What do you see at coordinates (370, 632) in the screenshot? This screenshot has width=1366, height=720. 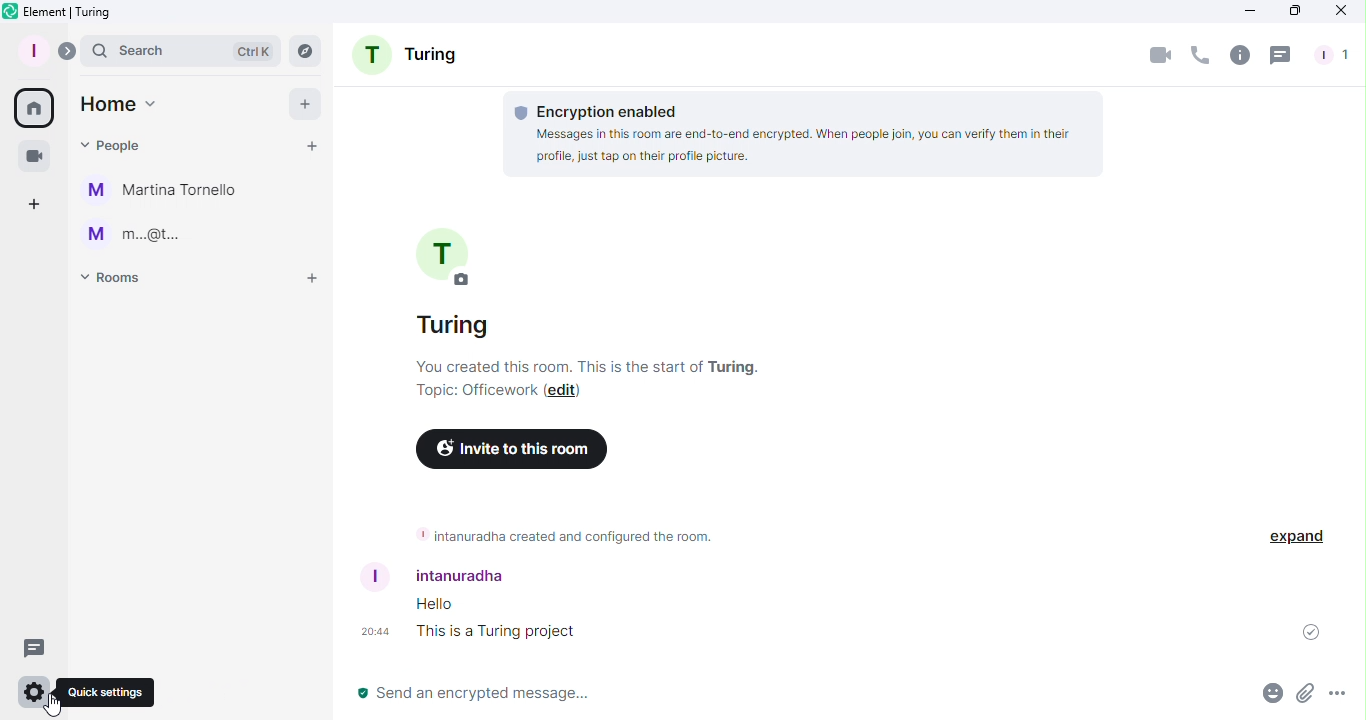 I see `20:44` at bounding box center [370, 632].